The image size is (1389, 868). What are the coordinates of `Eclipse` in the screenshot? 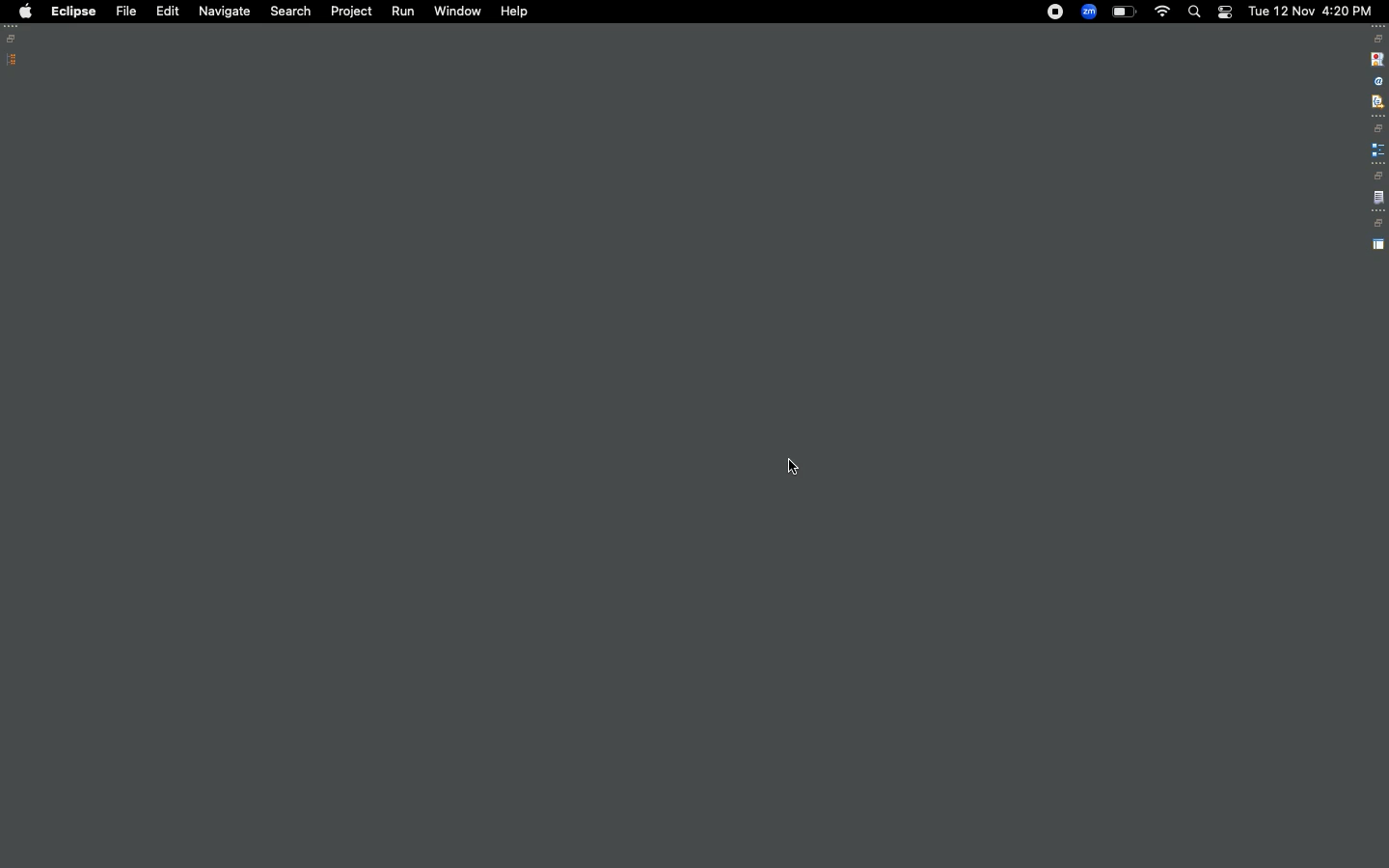 It's located at (73, 12).